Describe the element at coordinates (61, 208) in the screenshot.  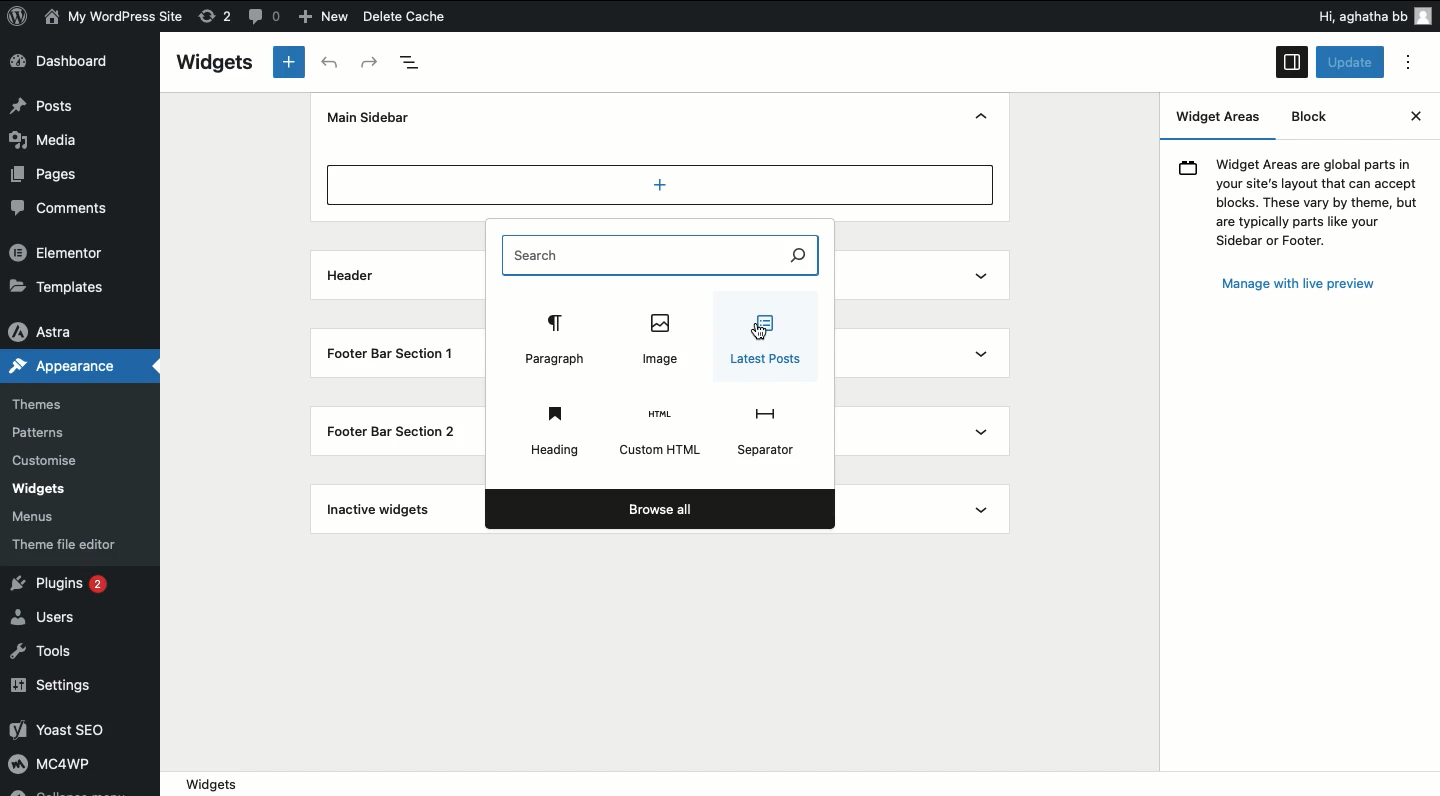
I see `Comments.` at that location.